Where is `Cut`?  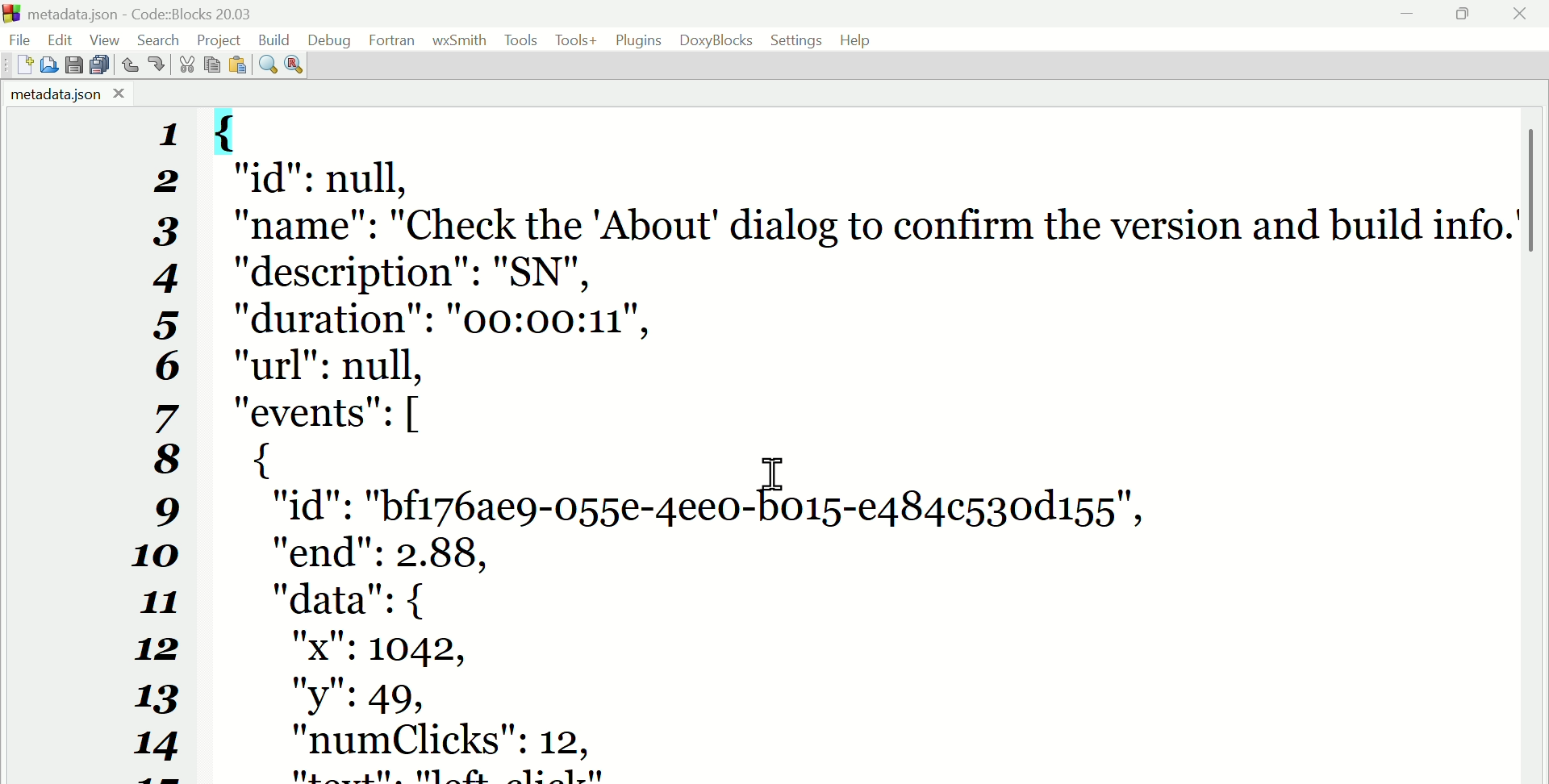 Cut is located at coordinates (182, 65).